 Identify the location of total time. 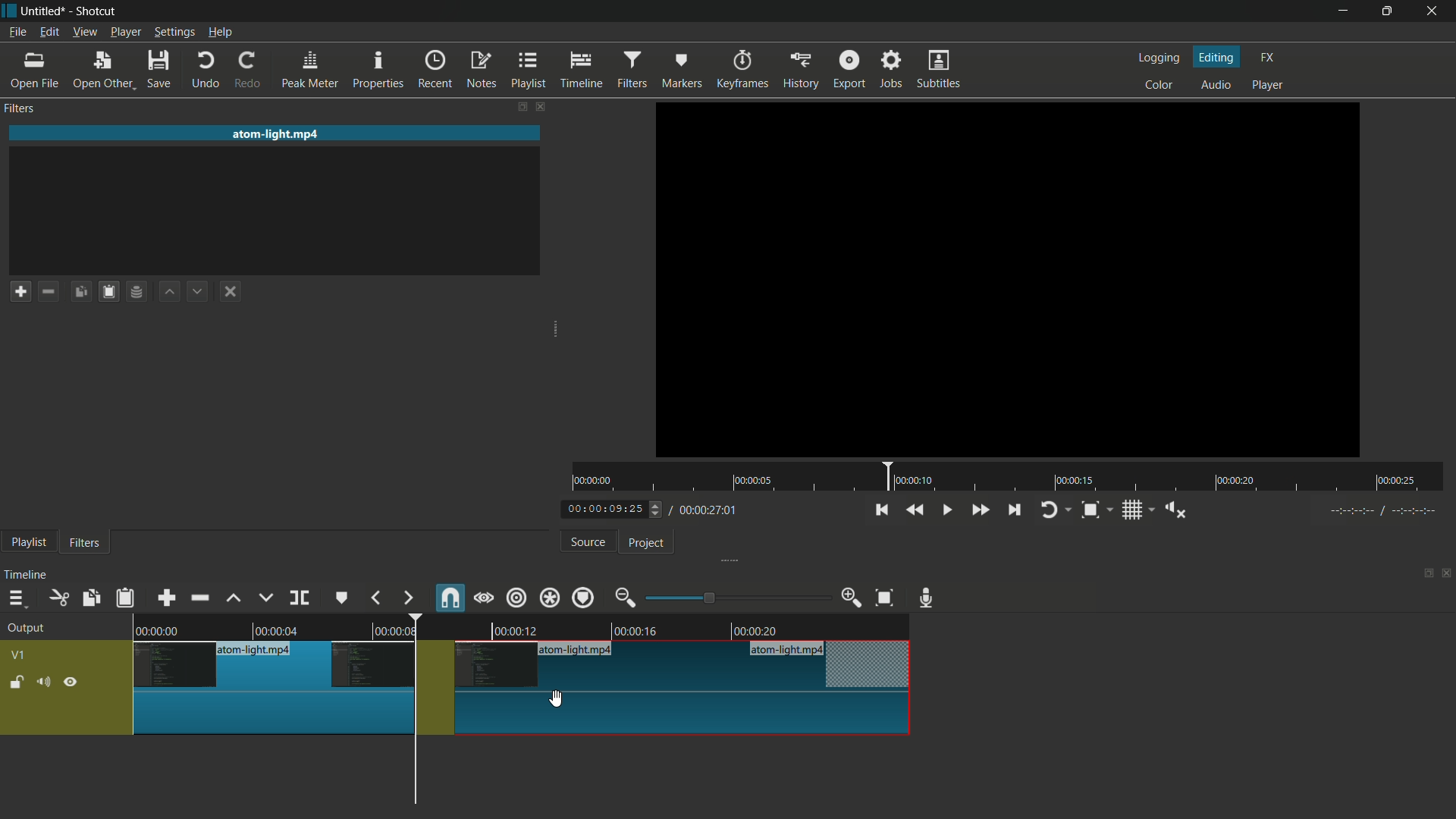
(707, 510).